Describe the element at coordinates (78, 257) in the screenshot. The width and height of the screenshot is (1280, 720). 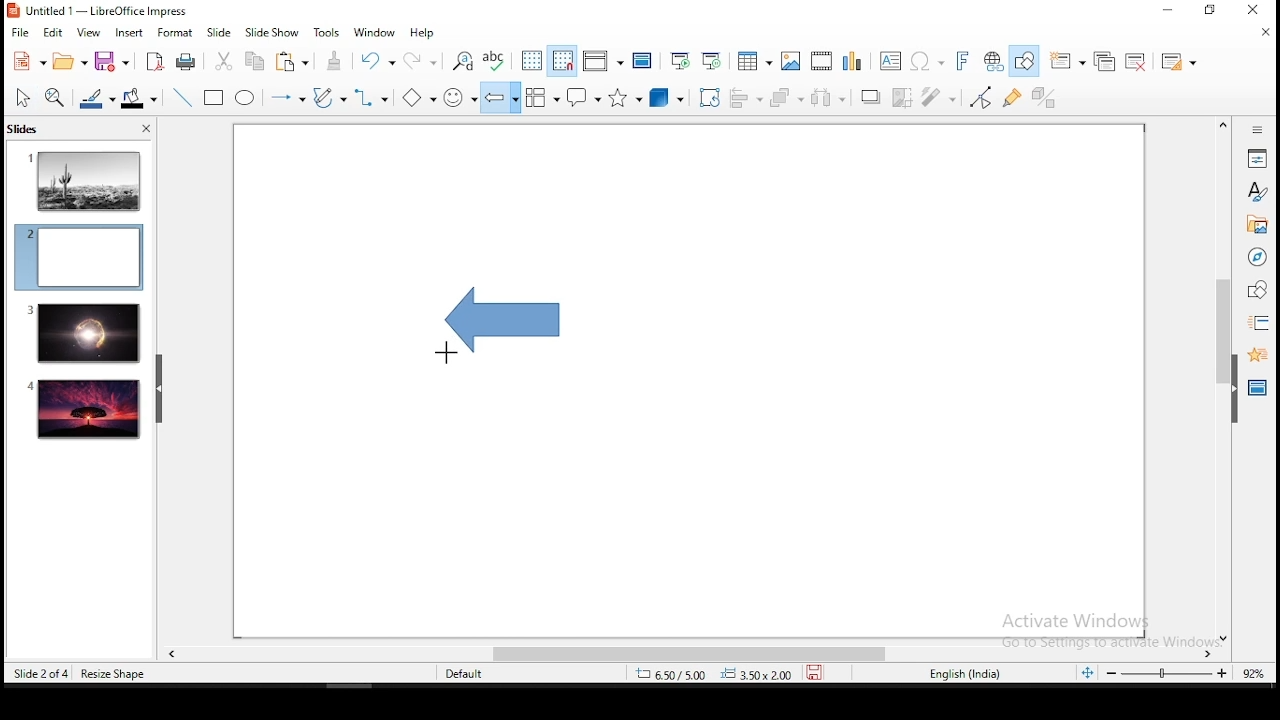
I see `slide 2` at that location.